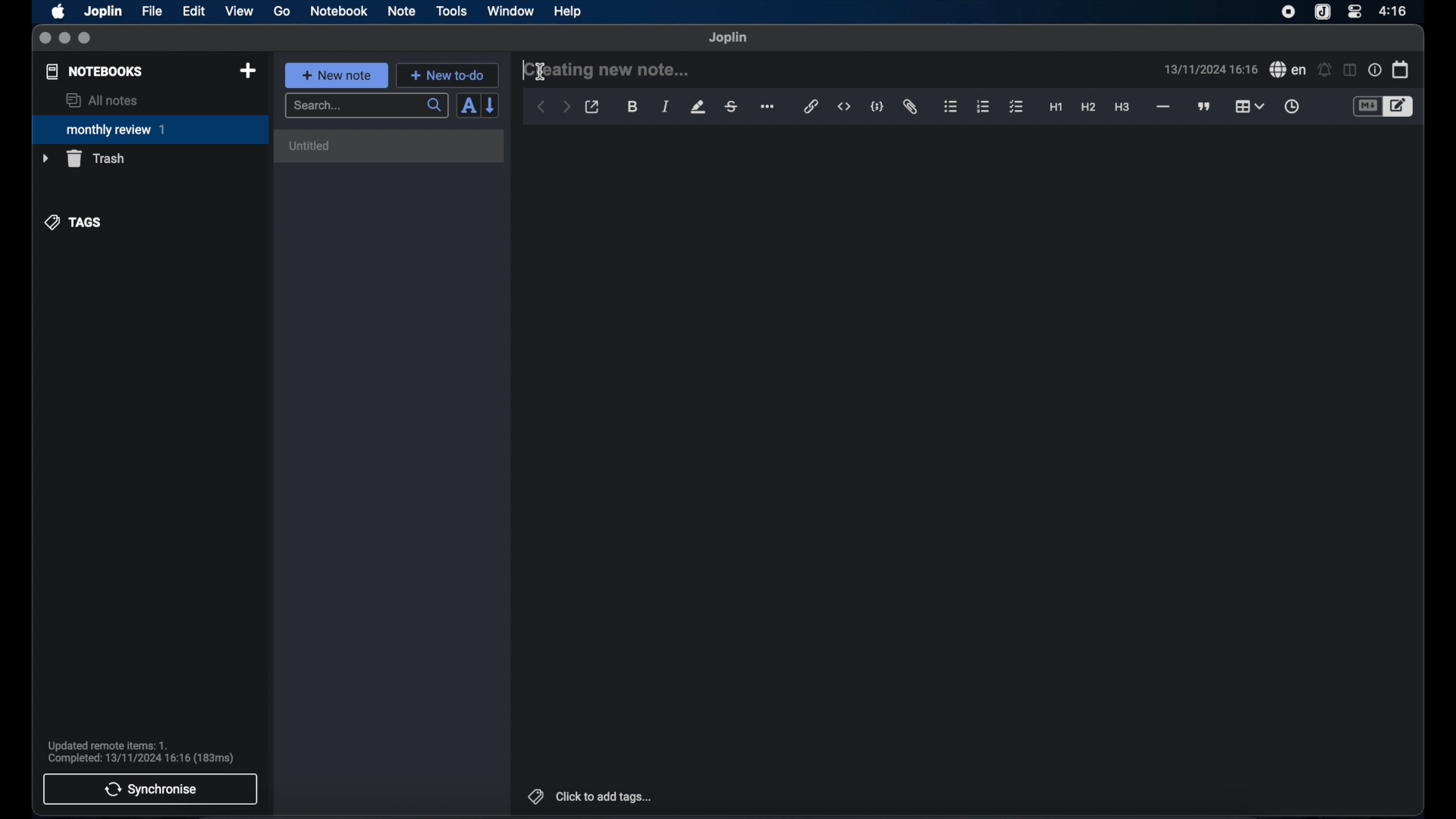  Describe the element at coordinates (239, 11) in the screenshot. I see `view` at that location.